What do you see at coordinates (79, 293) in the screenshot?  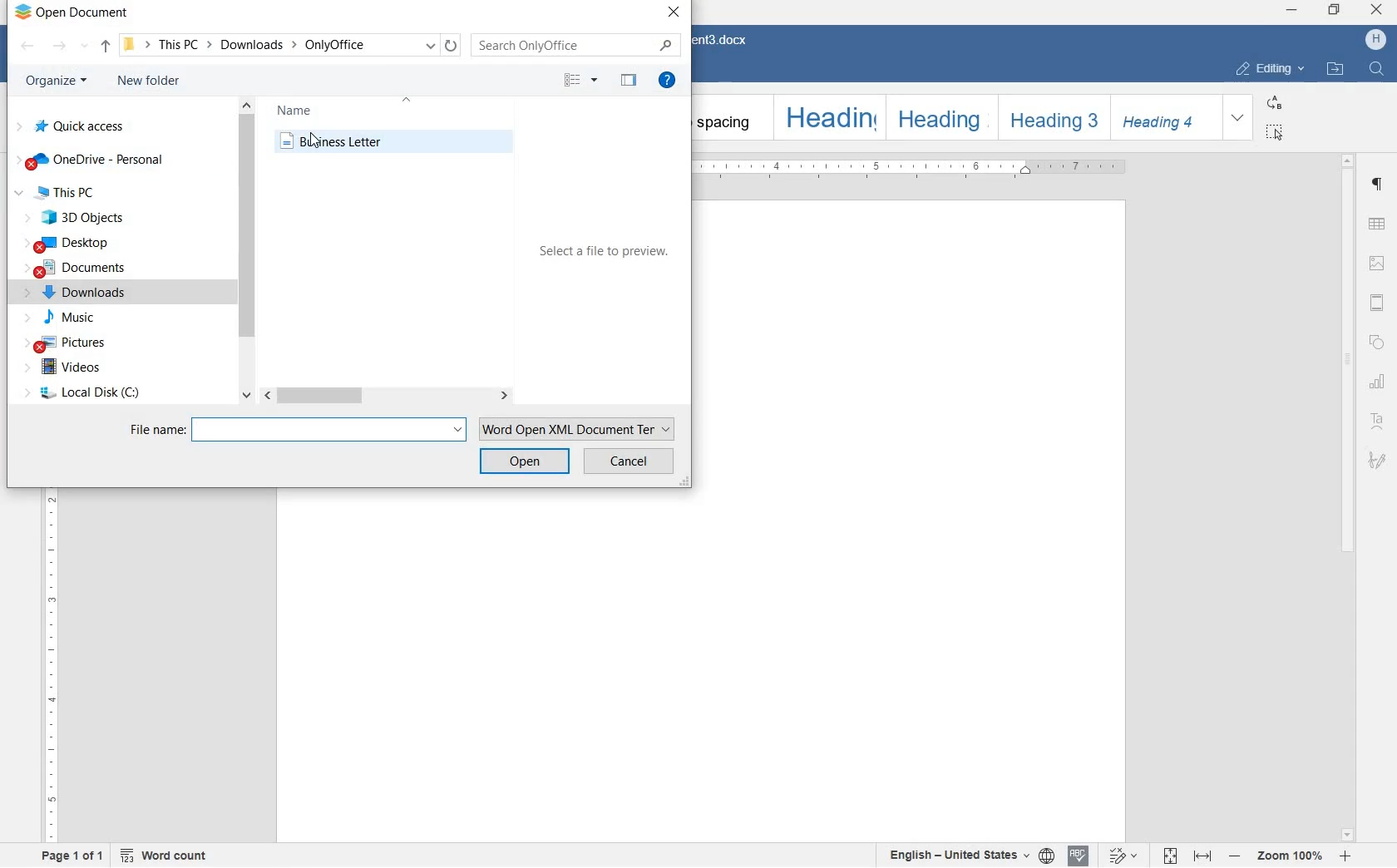 I see `downloads` at bounding box center [79, 293].